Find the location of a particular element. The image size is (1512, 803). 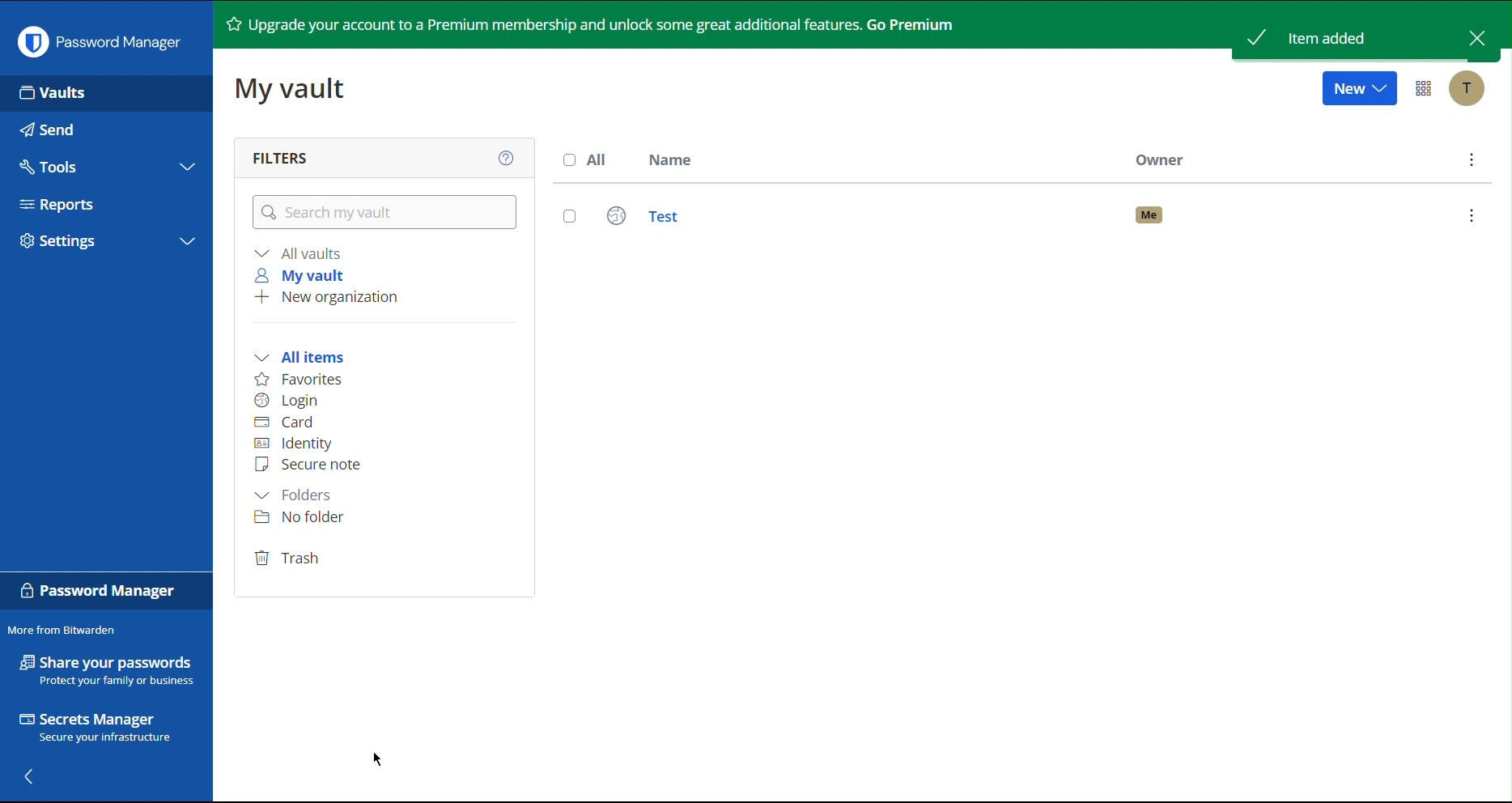

Favorites is located at coordinates (298, 381).